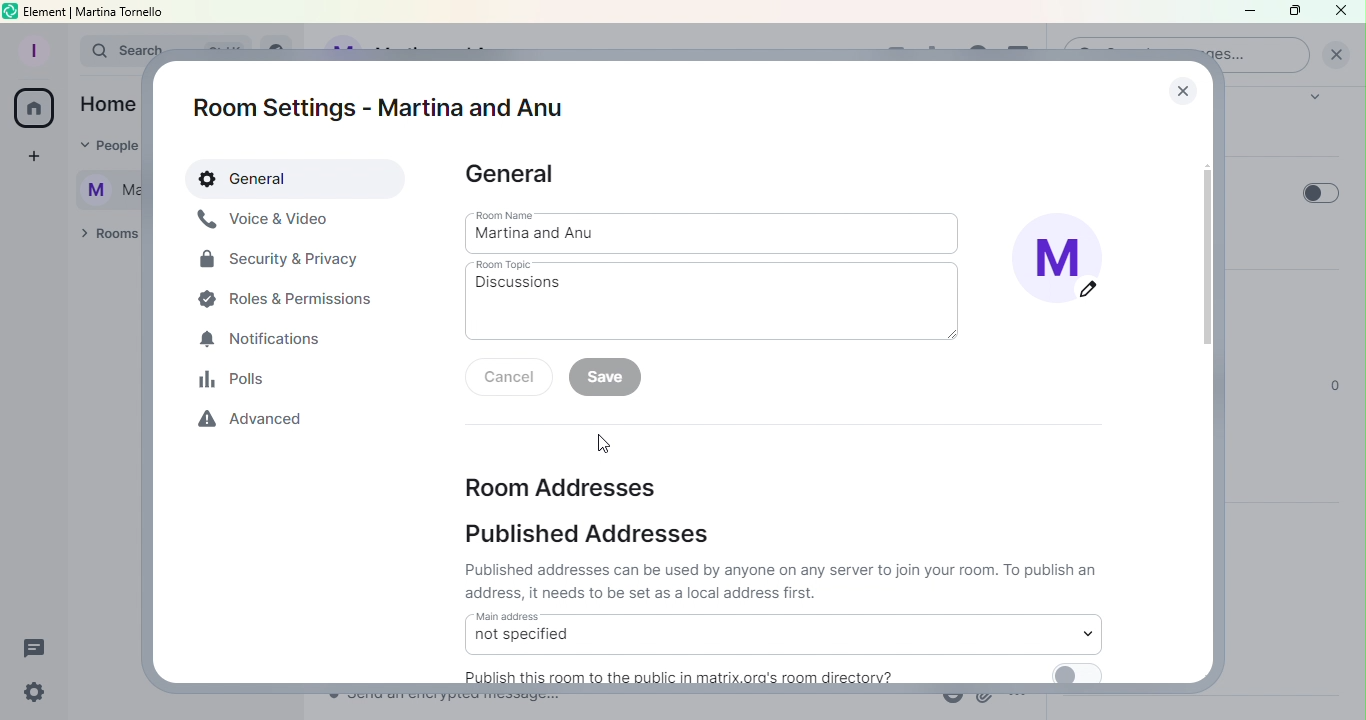  I want to click on published addresses can be used by anyone on any server to join your room. To publish an adress, it needs to be set as local address first, so click(784, 581).